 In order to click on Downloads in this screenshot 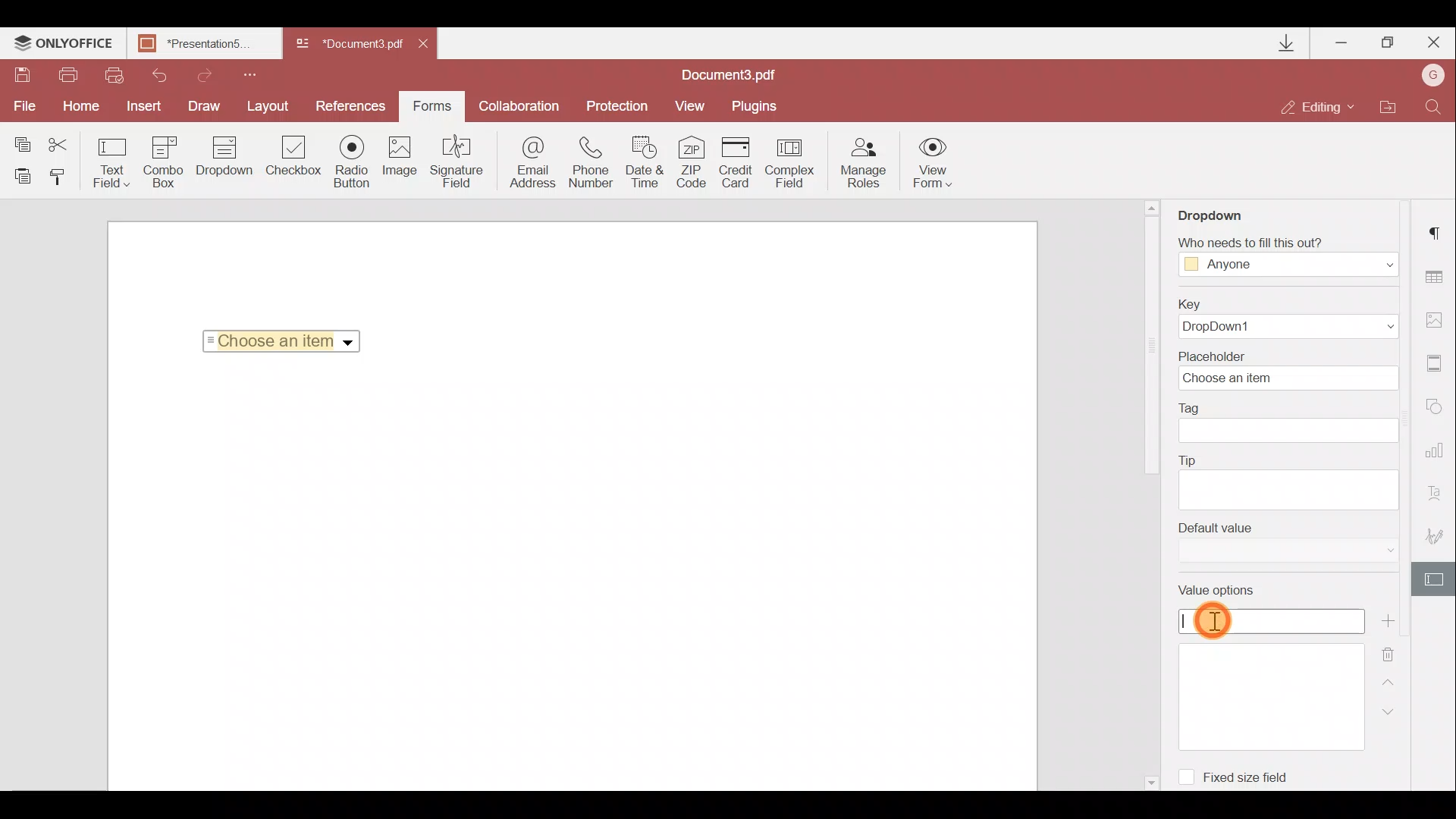, I will do `click(1288, 43)`.